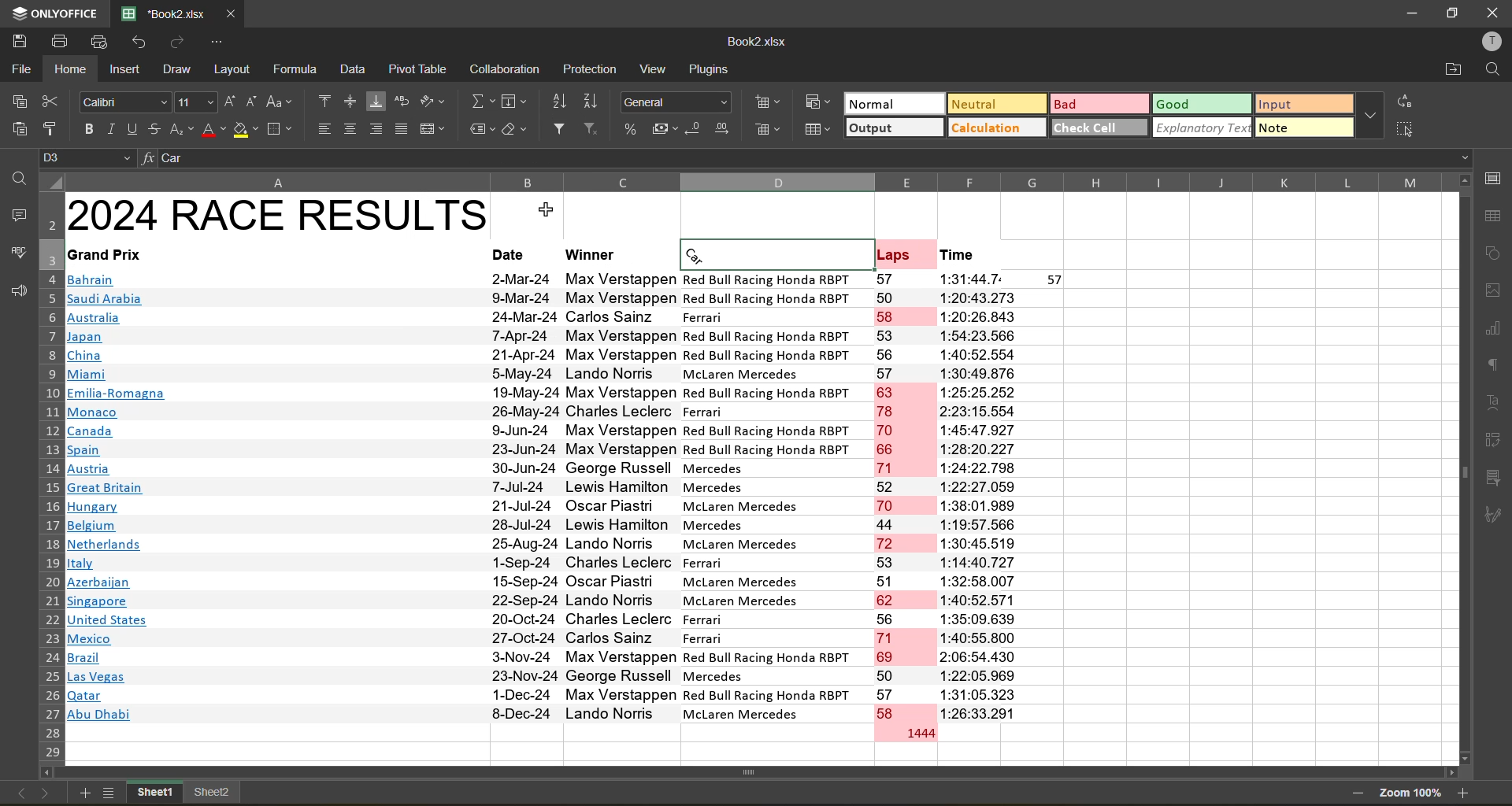 The height and width of the screenshot is (806, 1512). What do you see at coordinates (891, 128) in the screenshot?
I see `output` at bounding box center [891, 128].